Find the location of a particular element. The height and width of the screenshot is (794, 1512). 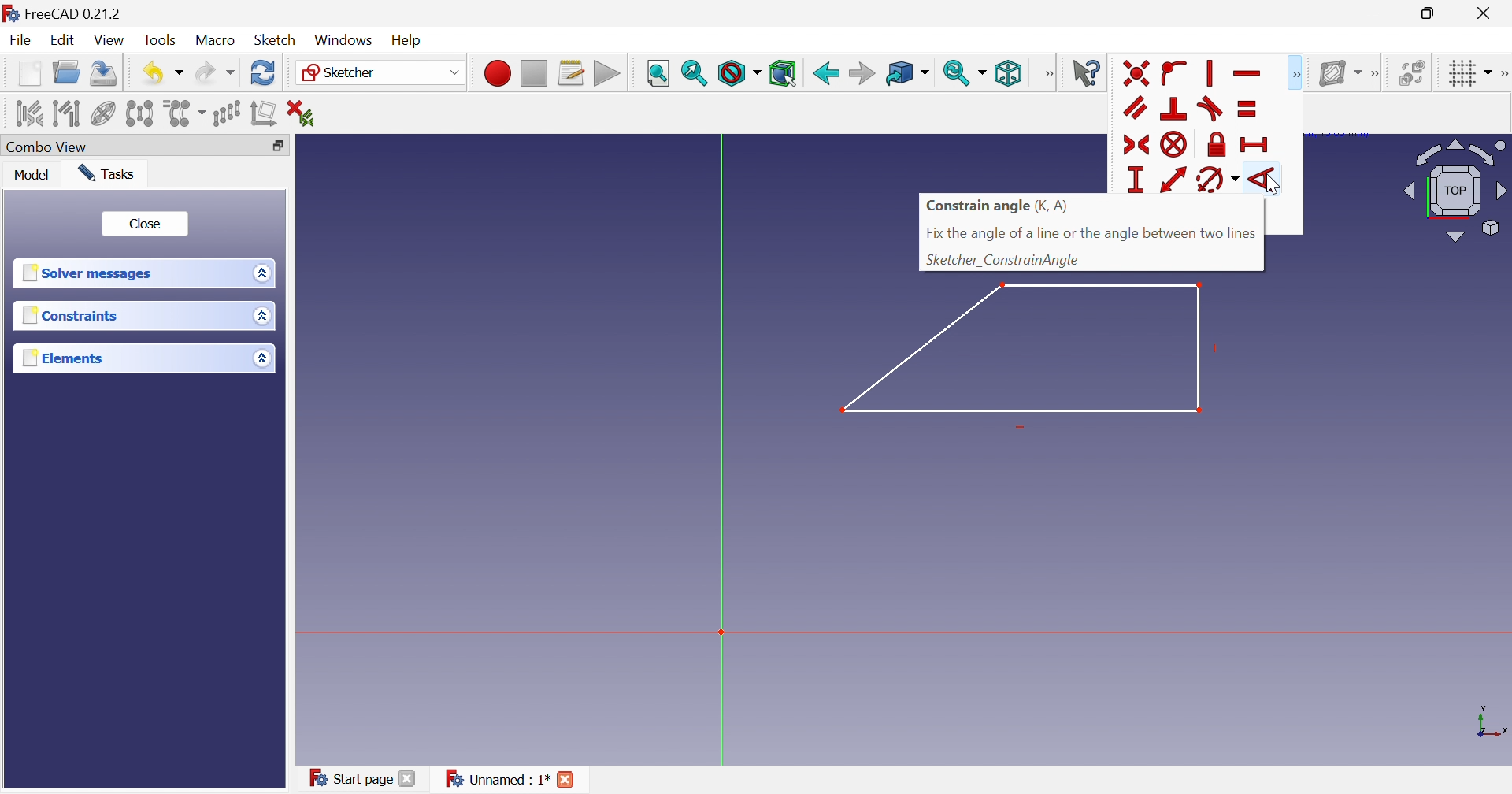

Fit all is located at coordinates (658, 72).